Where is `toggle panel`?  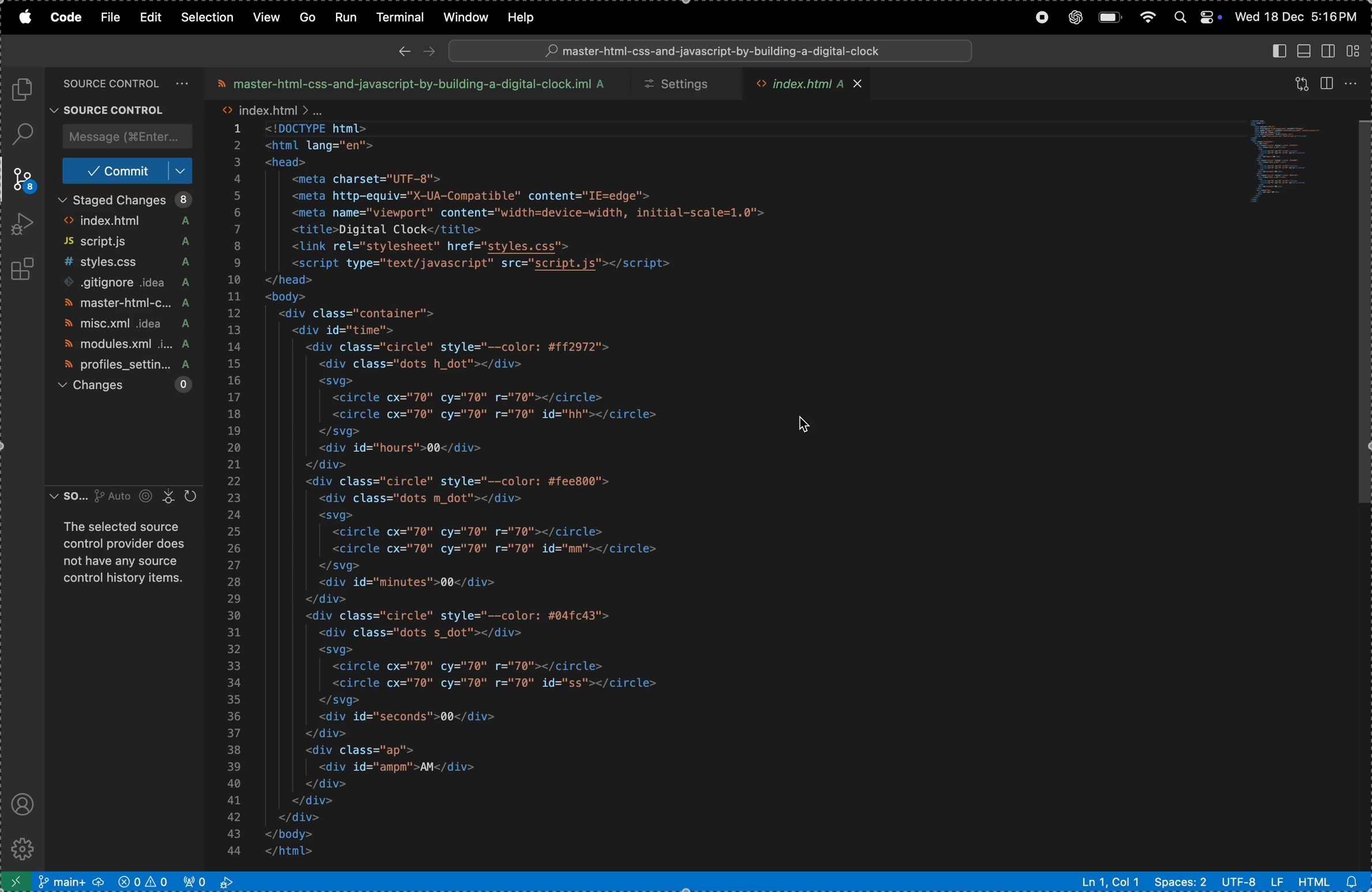 toggle panel is located at coordinates (1303, 50).